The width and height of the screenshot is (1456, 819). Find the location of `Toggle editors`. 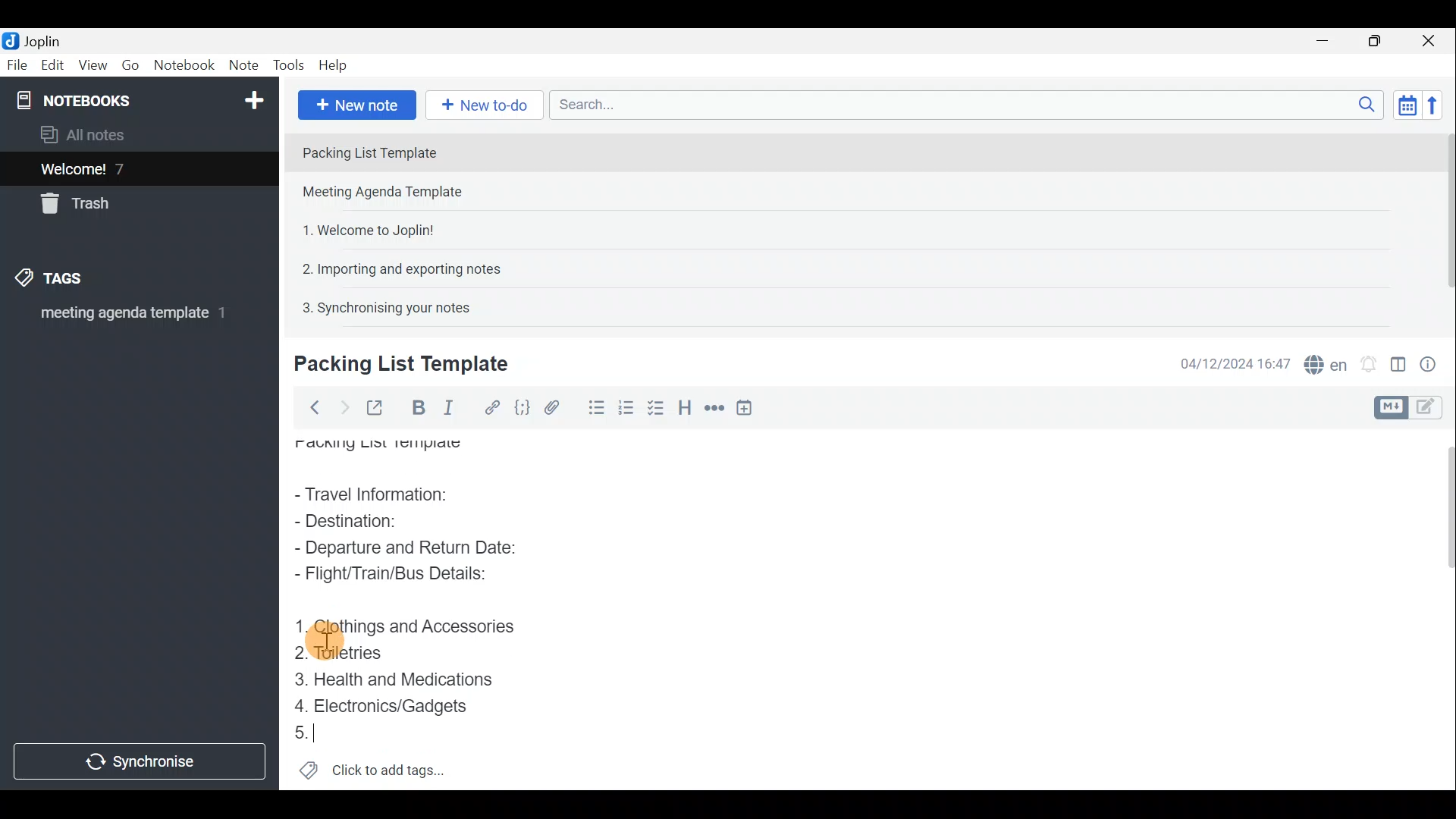

Toggle editors is located at coordinates (1433, 409).